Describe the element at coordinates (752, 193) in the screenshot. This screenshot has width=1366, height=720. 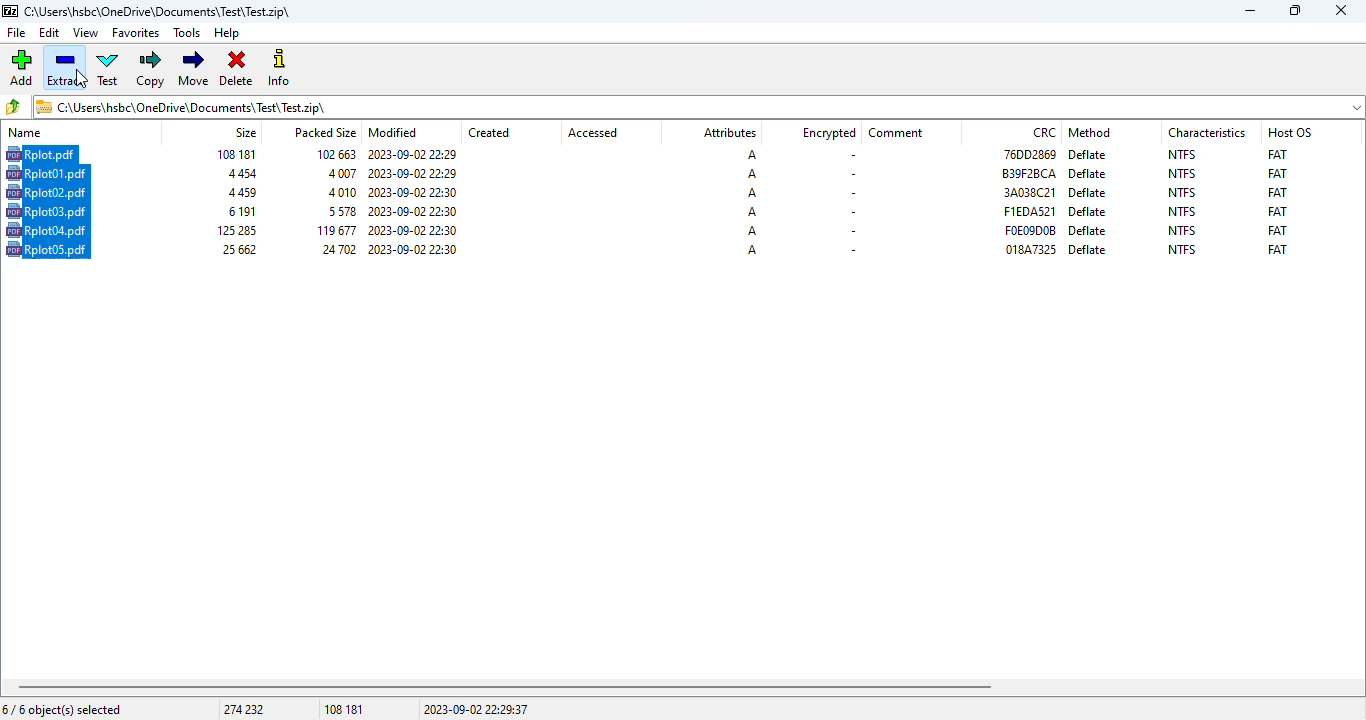
I see `A` at that location.